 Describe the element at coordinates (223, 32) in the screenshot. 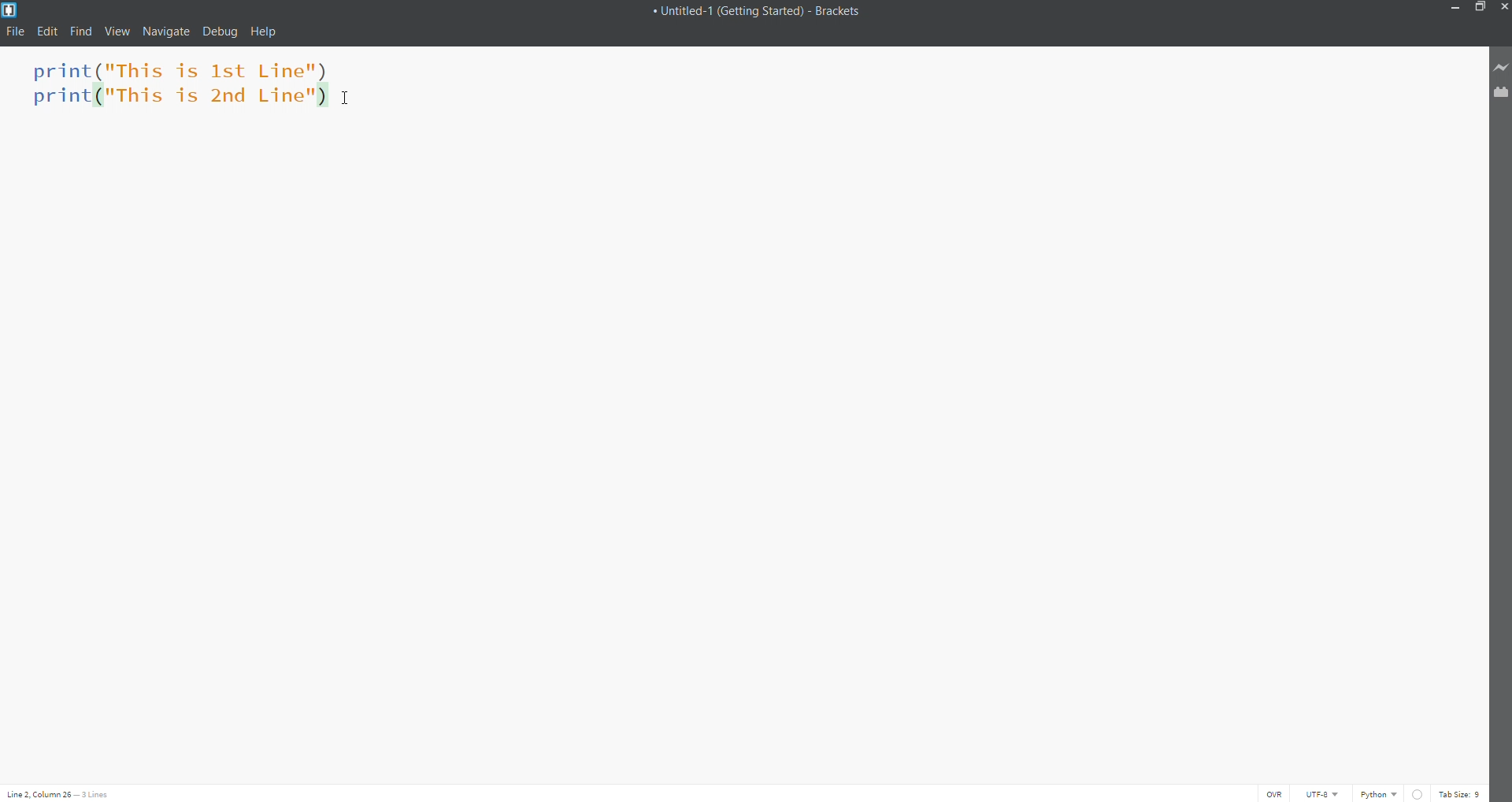

I see `Debug` at that location.